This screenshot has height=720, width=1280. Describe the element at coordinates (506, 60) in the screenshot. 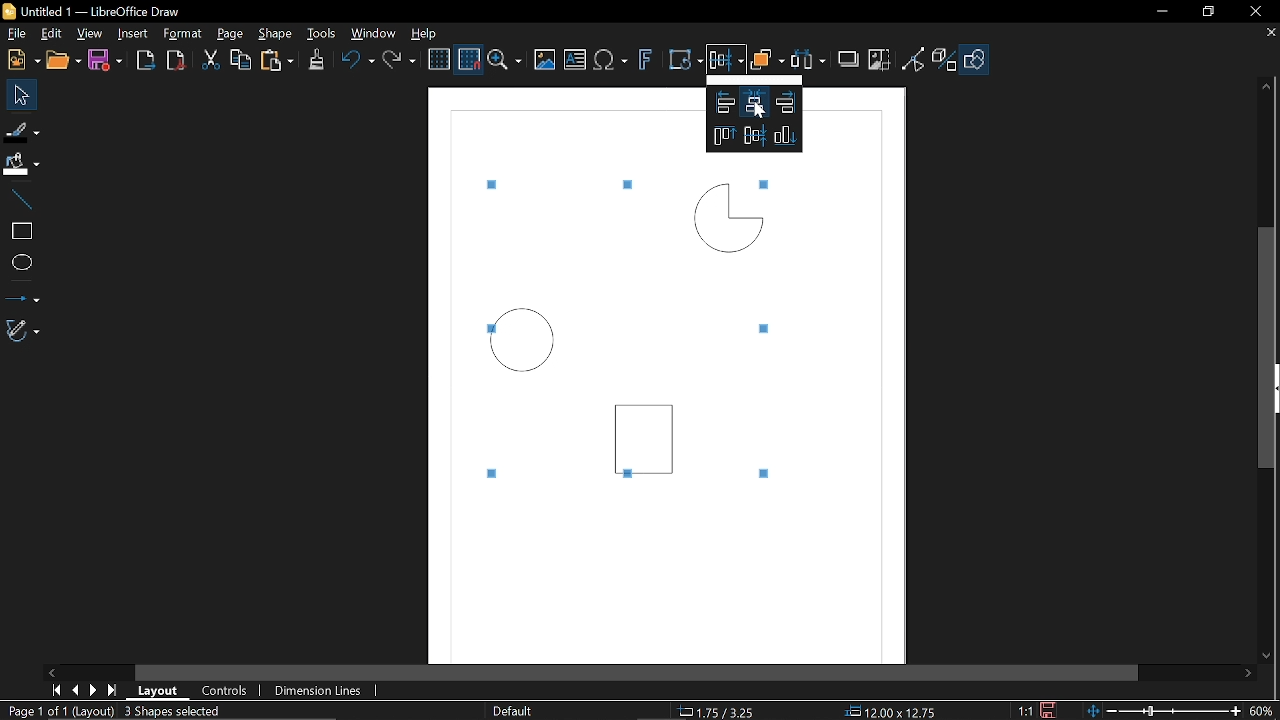

I see `Zoom` at that location.